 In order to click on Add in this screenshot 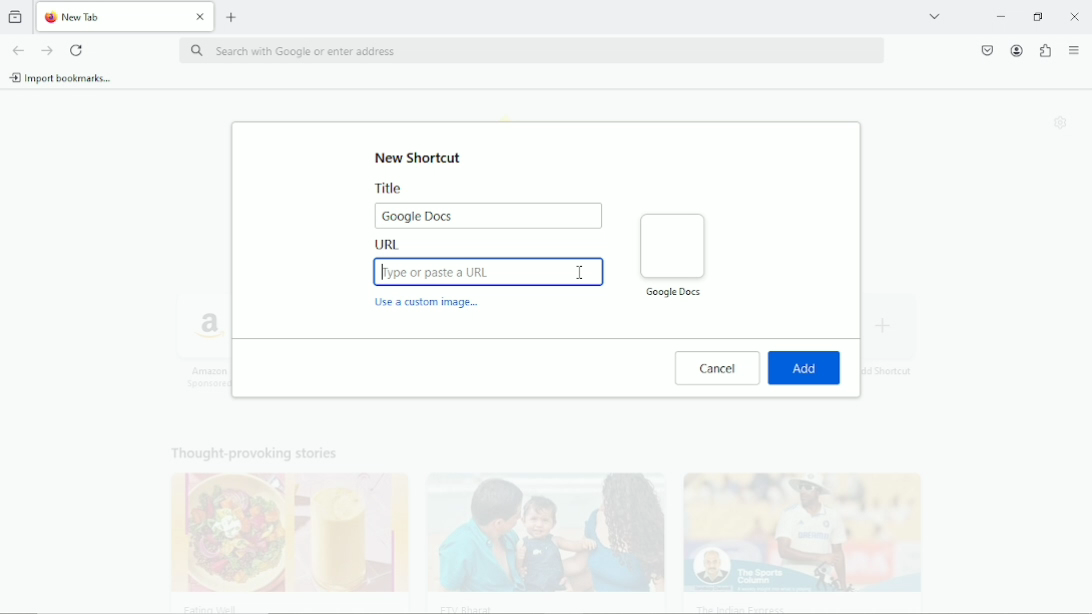, I will do `click(805, 368)`.